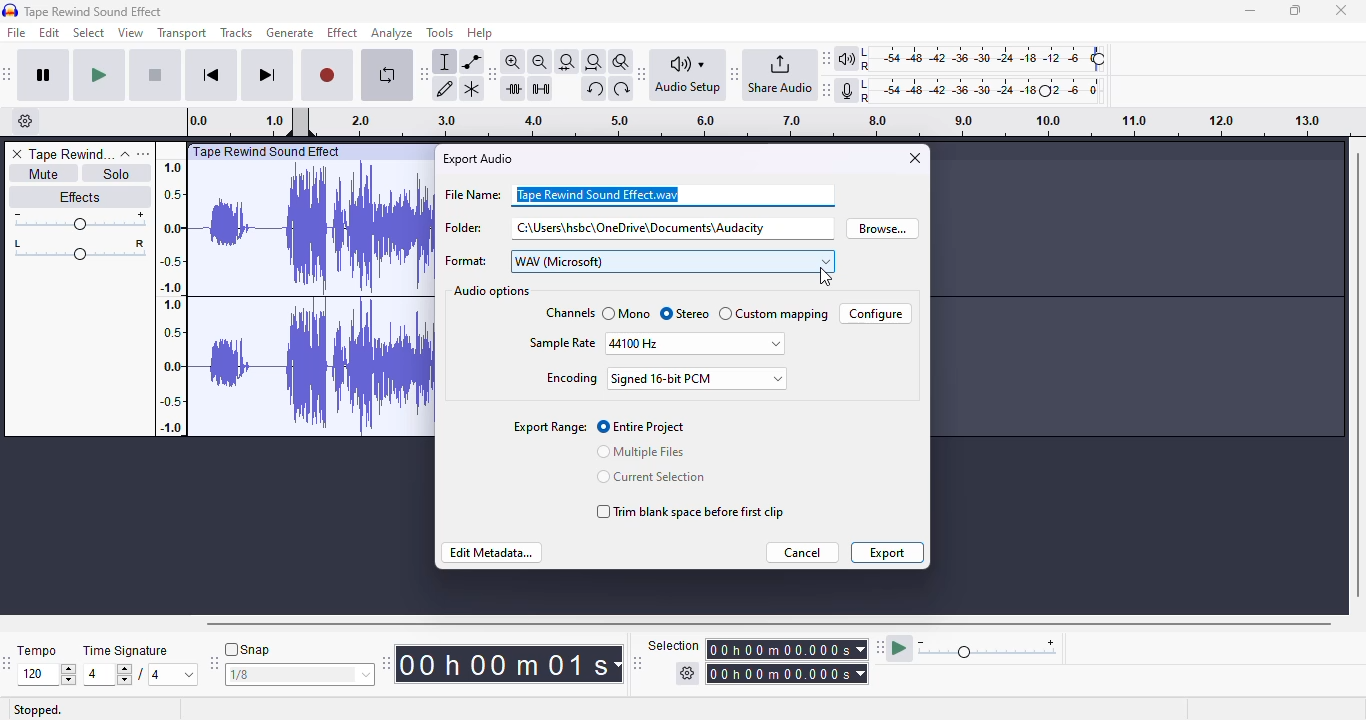  What do you see at coordinates (93, 11) in the screenshot?
I see `title` at bounding box center [93, 11].